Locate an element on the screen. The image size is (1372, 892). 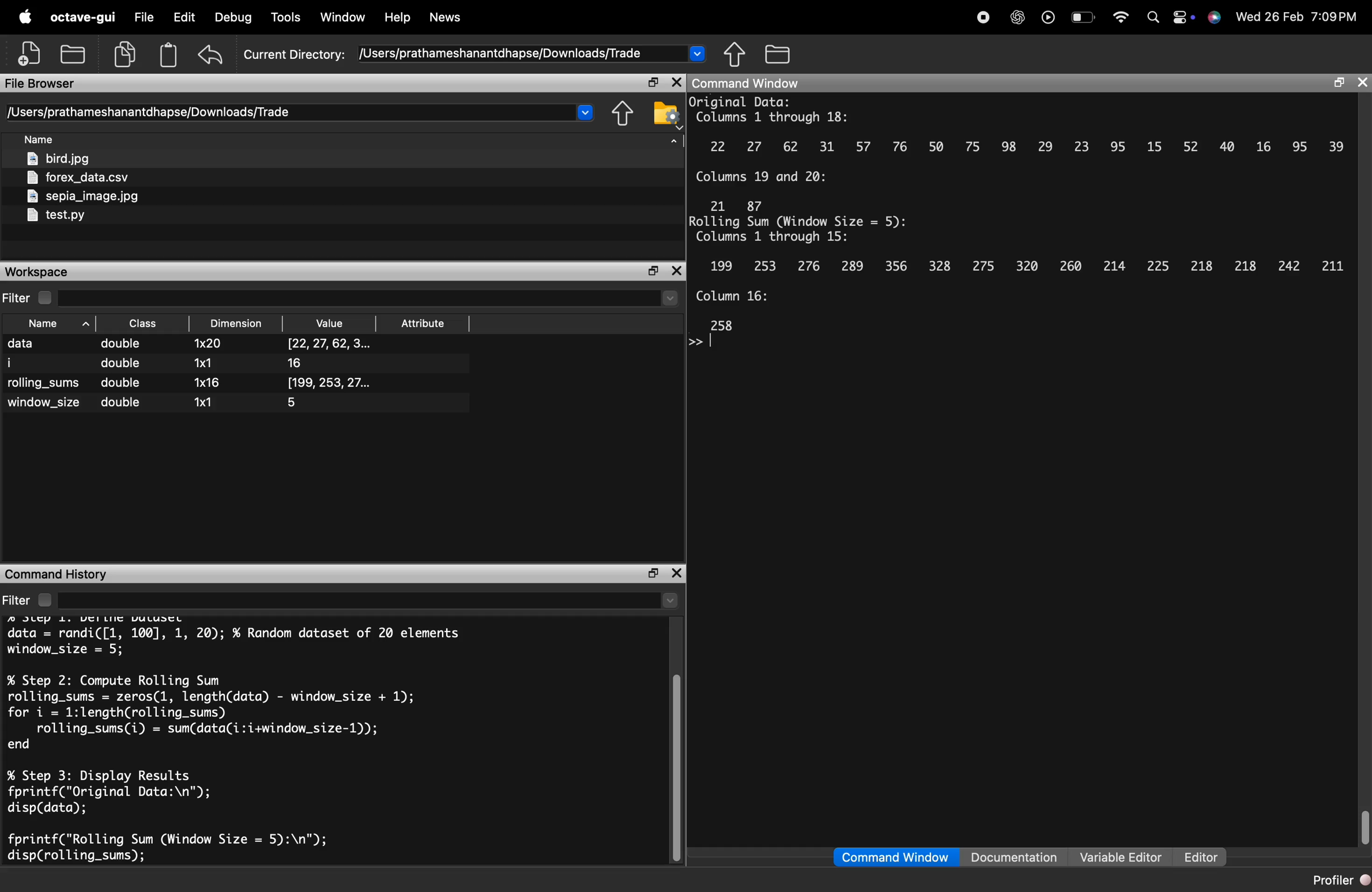
close is located at coordinates (1362, 83).